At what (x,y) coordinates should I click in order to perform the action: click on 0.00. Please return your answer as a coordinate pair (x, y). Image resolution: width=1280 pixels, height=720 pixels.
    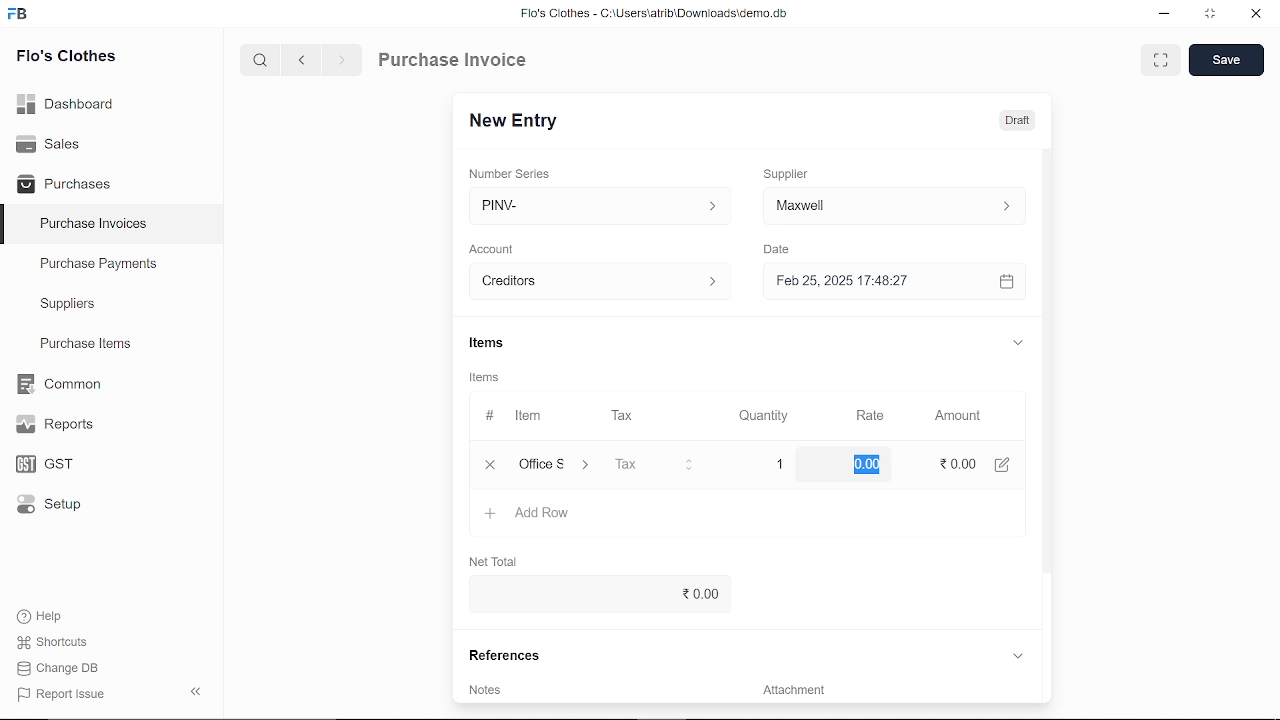
    Looking at the image, I should click on (864, 465).